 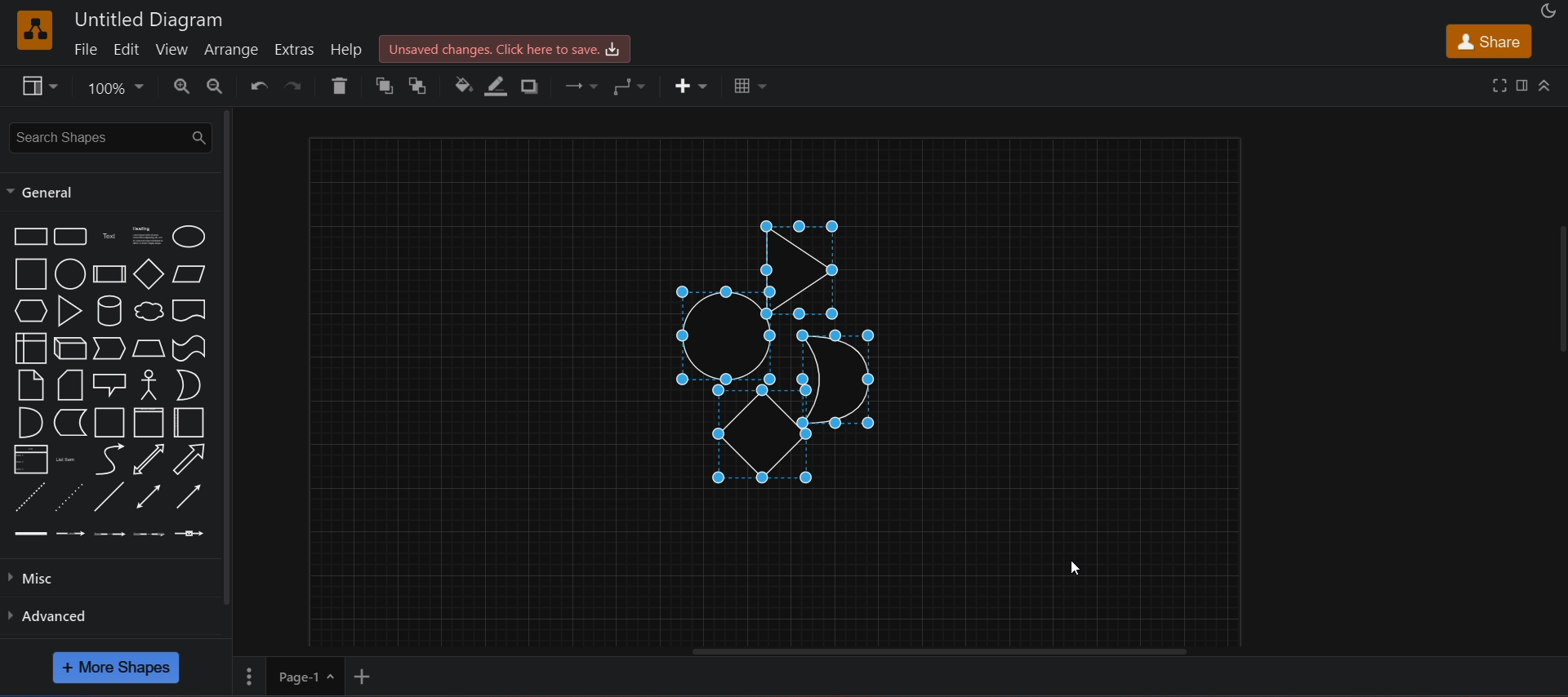 I want to click on more shapes, so click(x=116, y=667).